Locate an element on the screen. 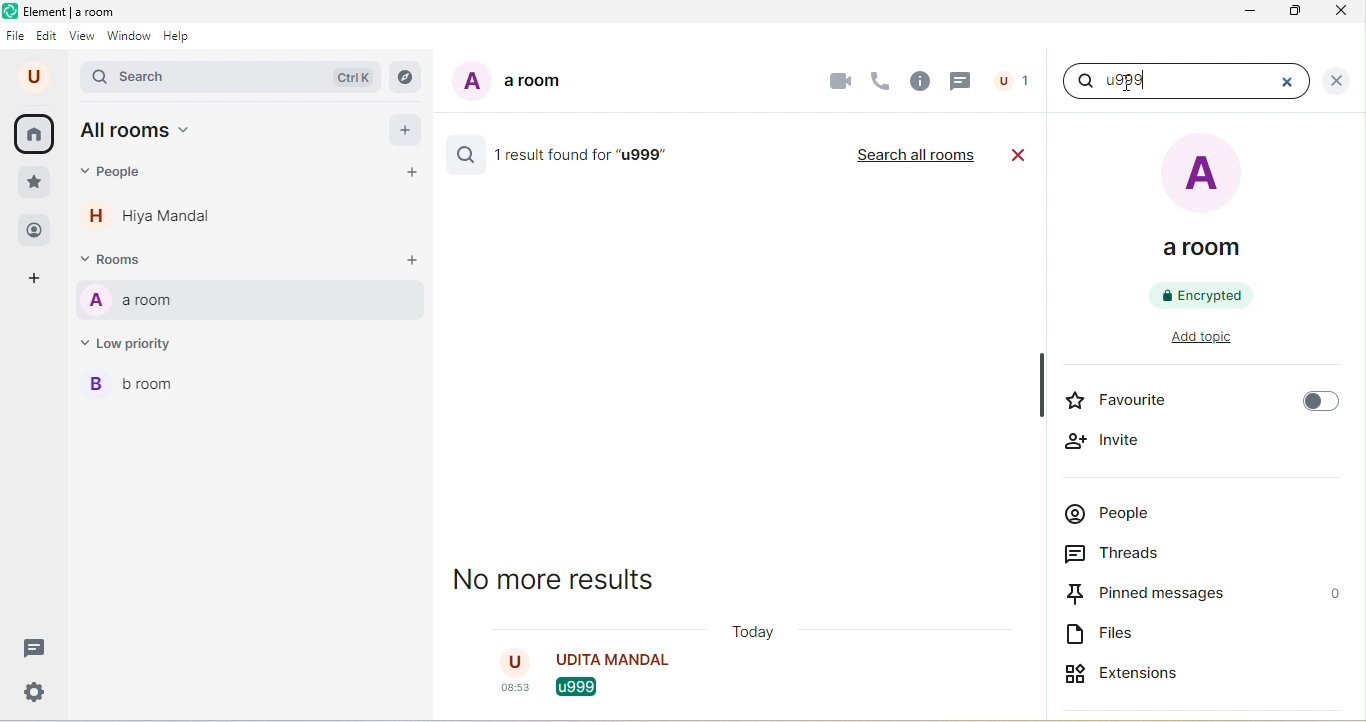 This screenshot has height=722, width=1366. minimize is located at coordinates (1252, 13).